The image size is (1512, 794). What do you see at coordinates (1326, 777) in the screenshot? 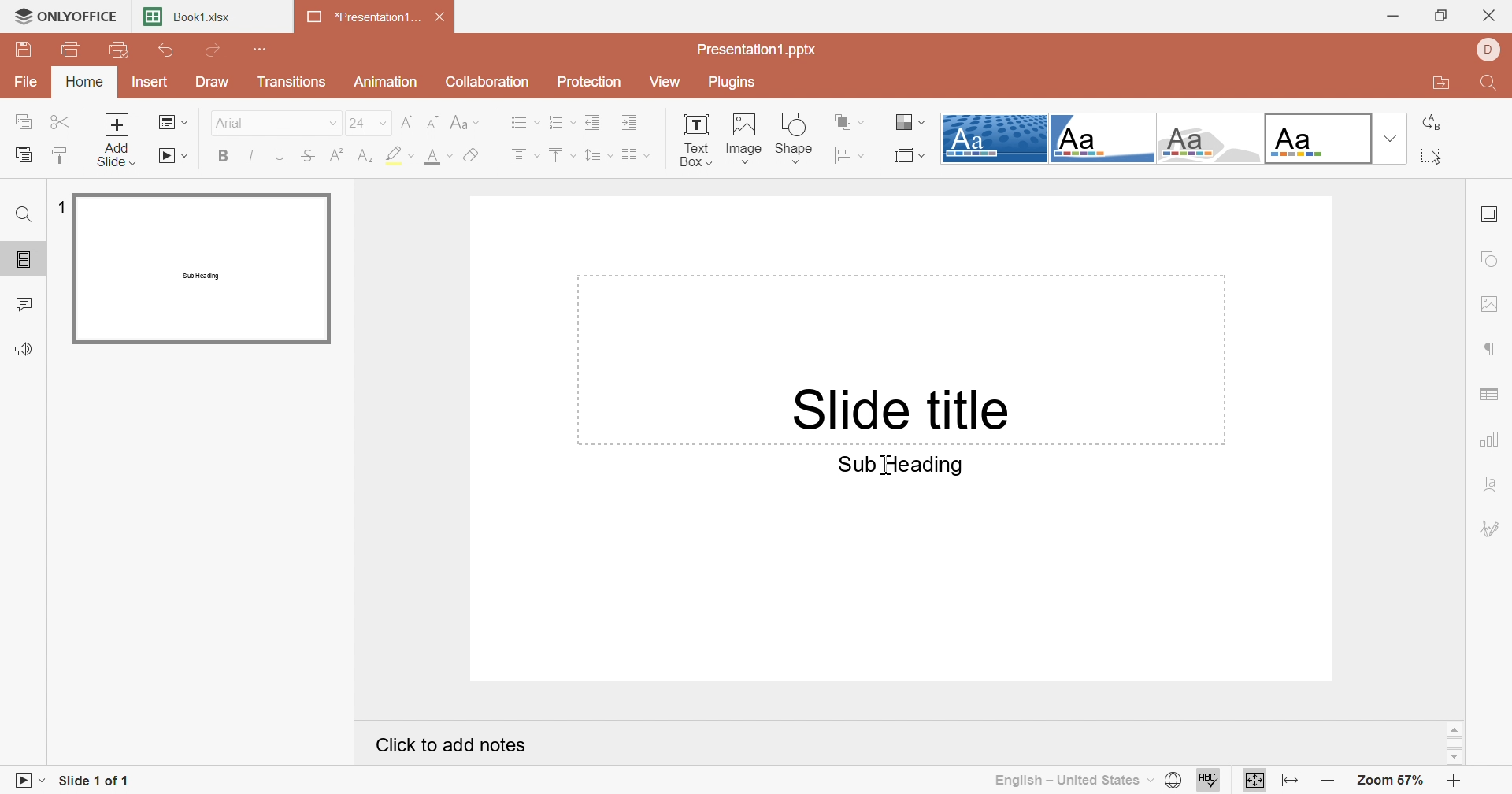
I see `Zoom out` at bounding box center [1326, 777].